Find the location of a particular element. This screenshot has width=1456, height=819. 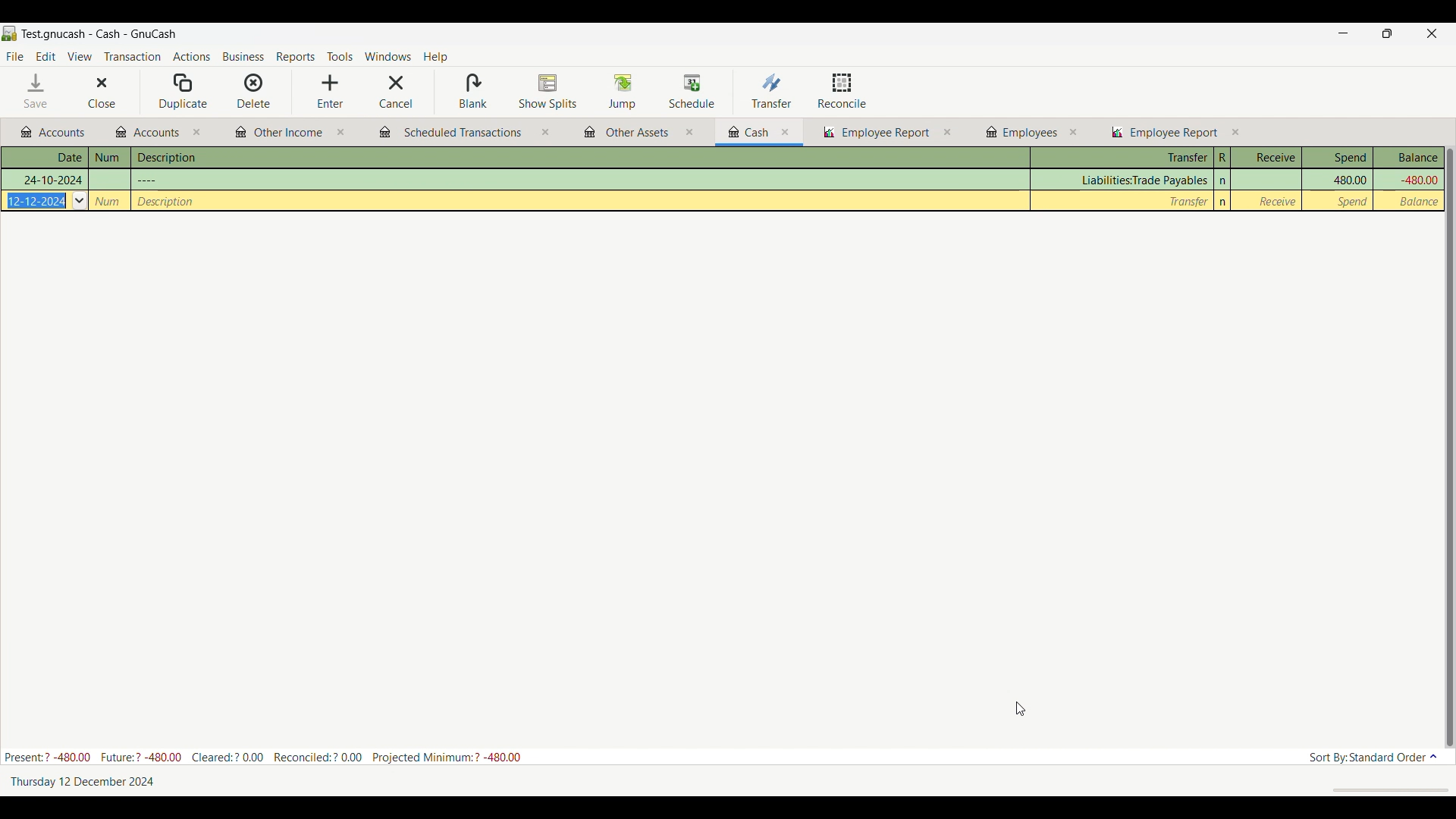

File menu is located at coordinates (14, 57).